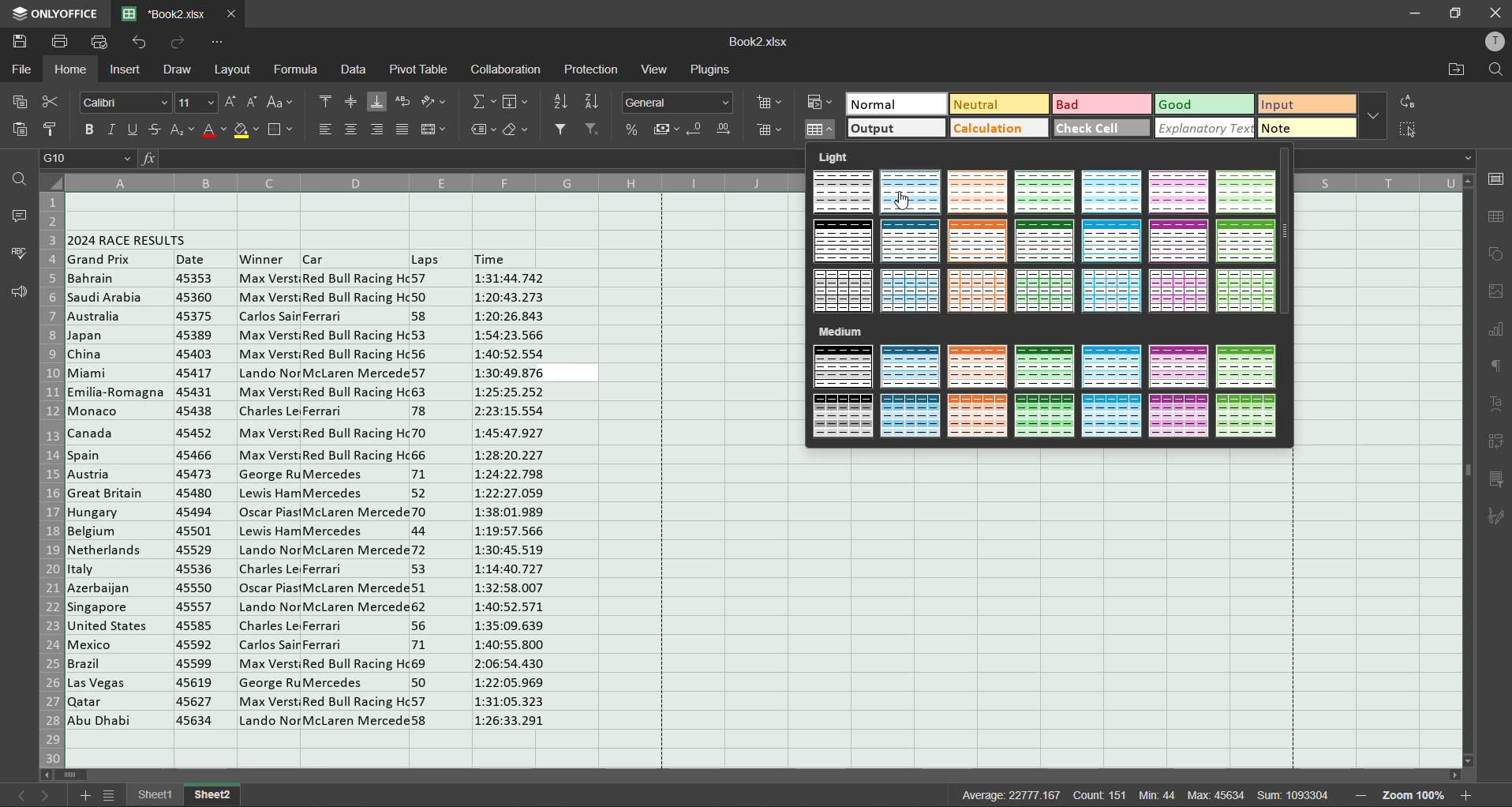 The image size is (1512, 807). What do you see at coordinates (997, 105) in the screenshot?
I see `neutral` at bounding box center [997, 105].